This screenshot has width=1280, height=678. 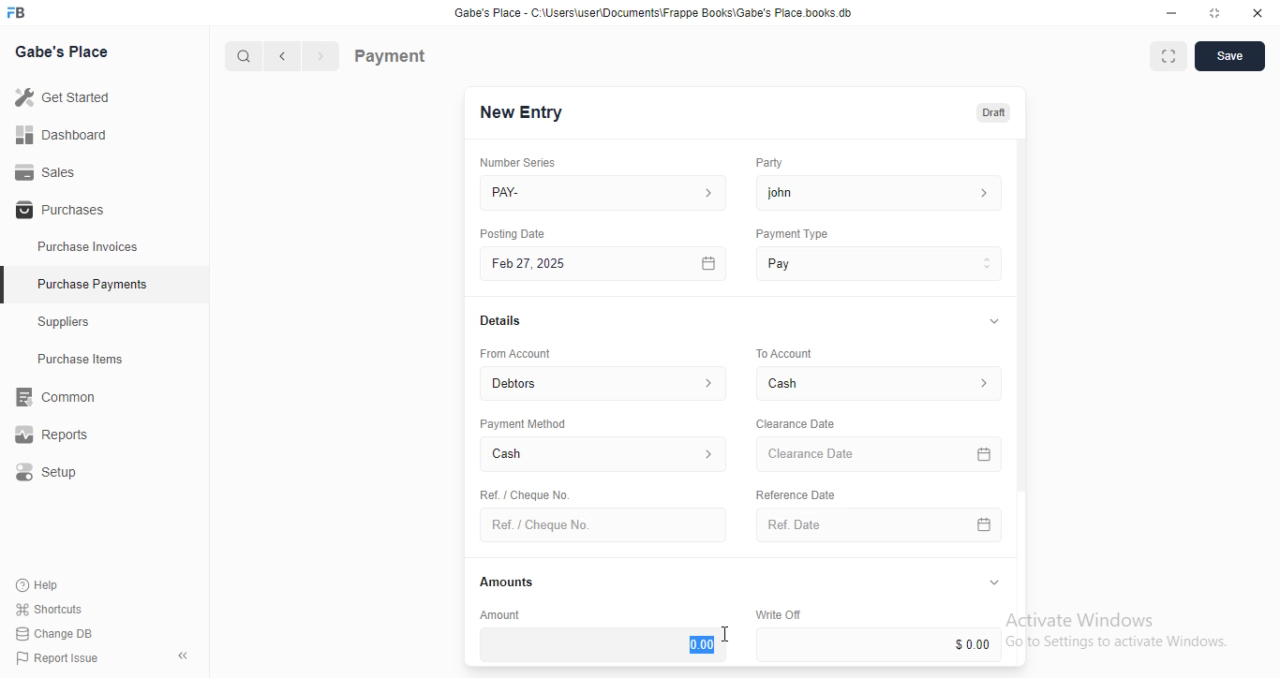 I want to click on Shortcuts, so click(x=47, y=610).